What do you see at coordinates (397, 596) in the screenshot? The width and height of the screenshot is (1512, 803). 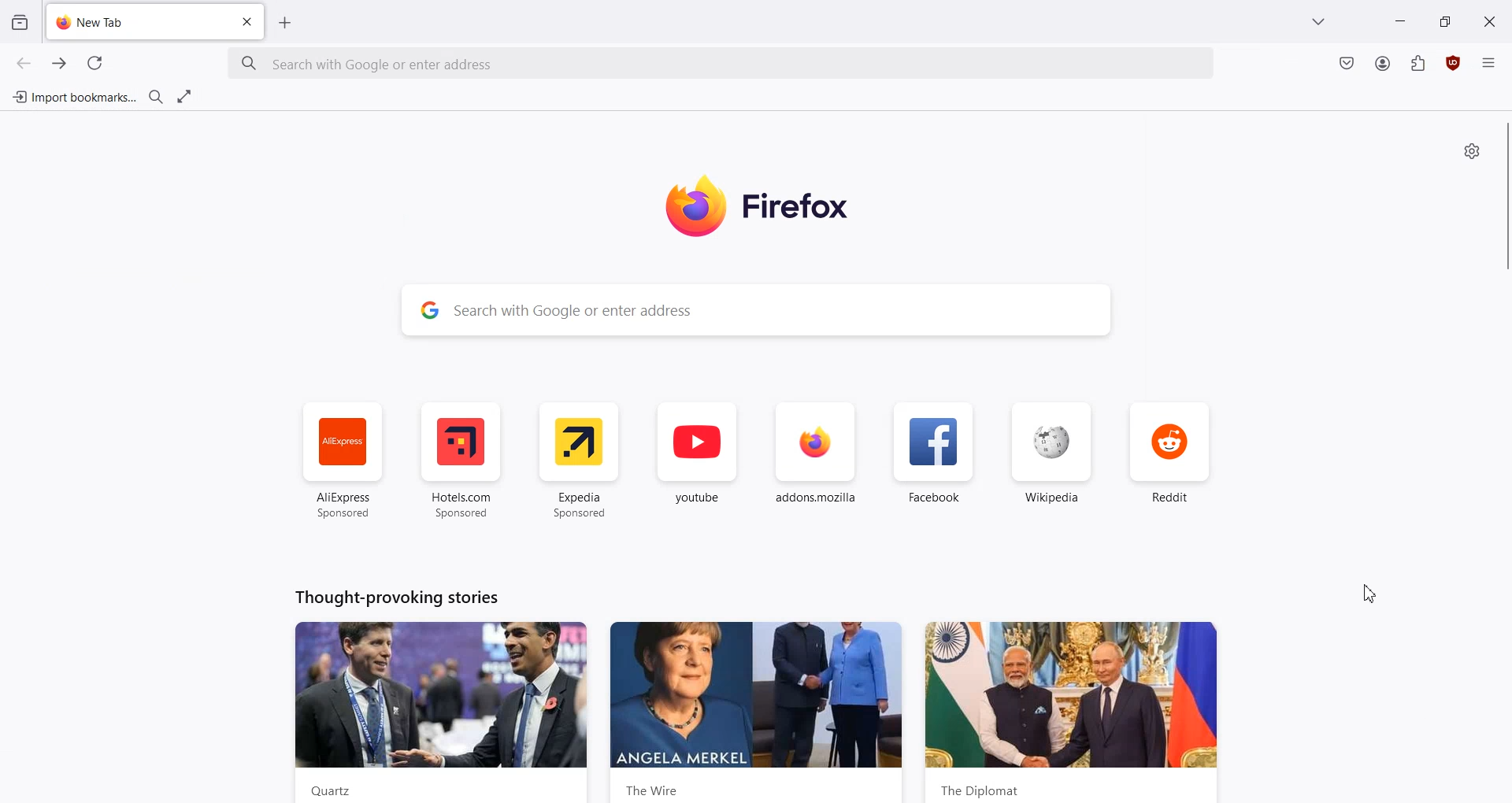 I see `Text` at bounding box center [397, 596].